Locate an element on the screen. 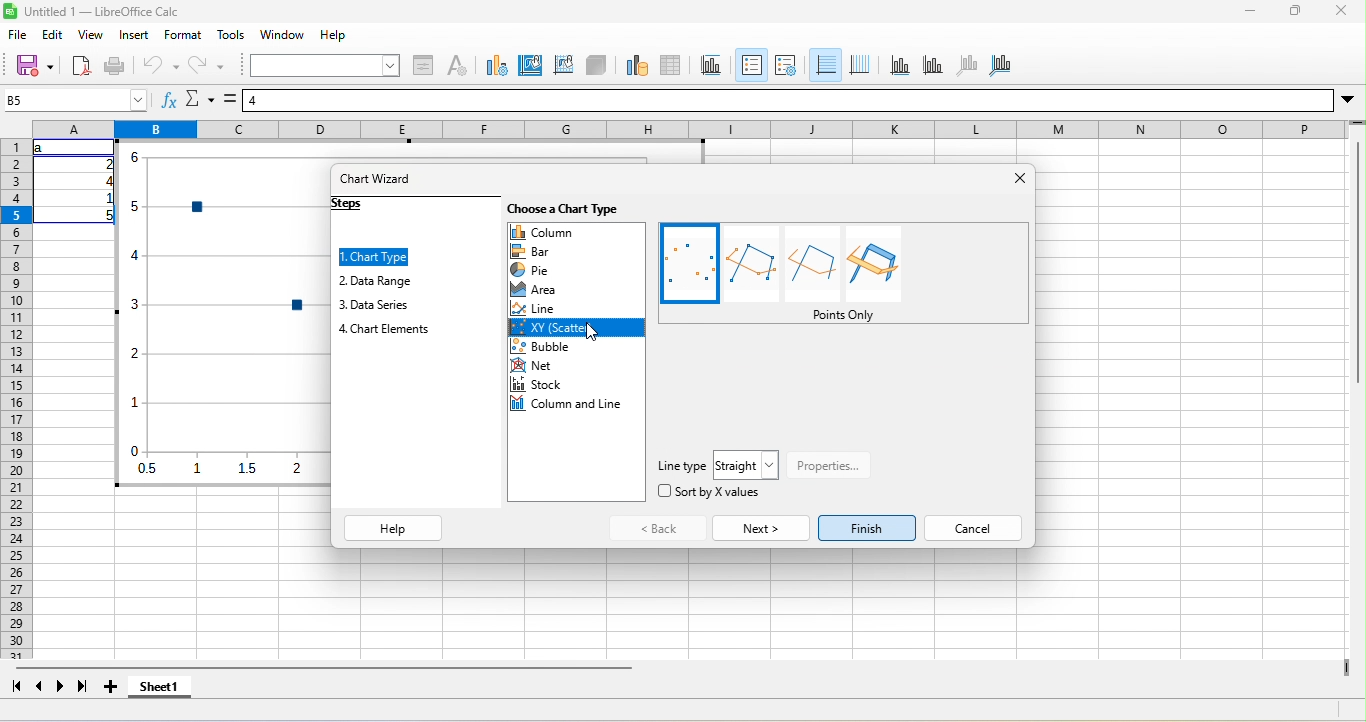 Image resolution: width=1366 pixels, height=722 pixels. chart area is located at coordinates (530, 67).